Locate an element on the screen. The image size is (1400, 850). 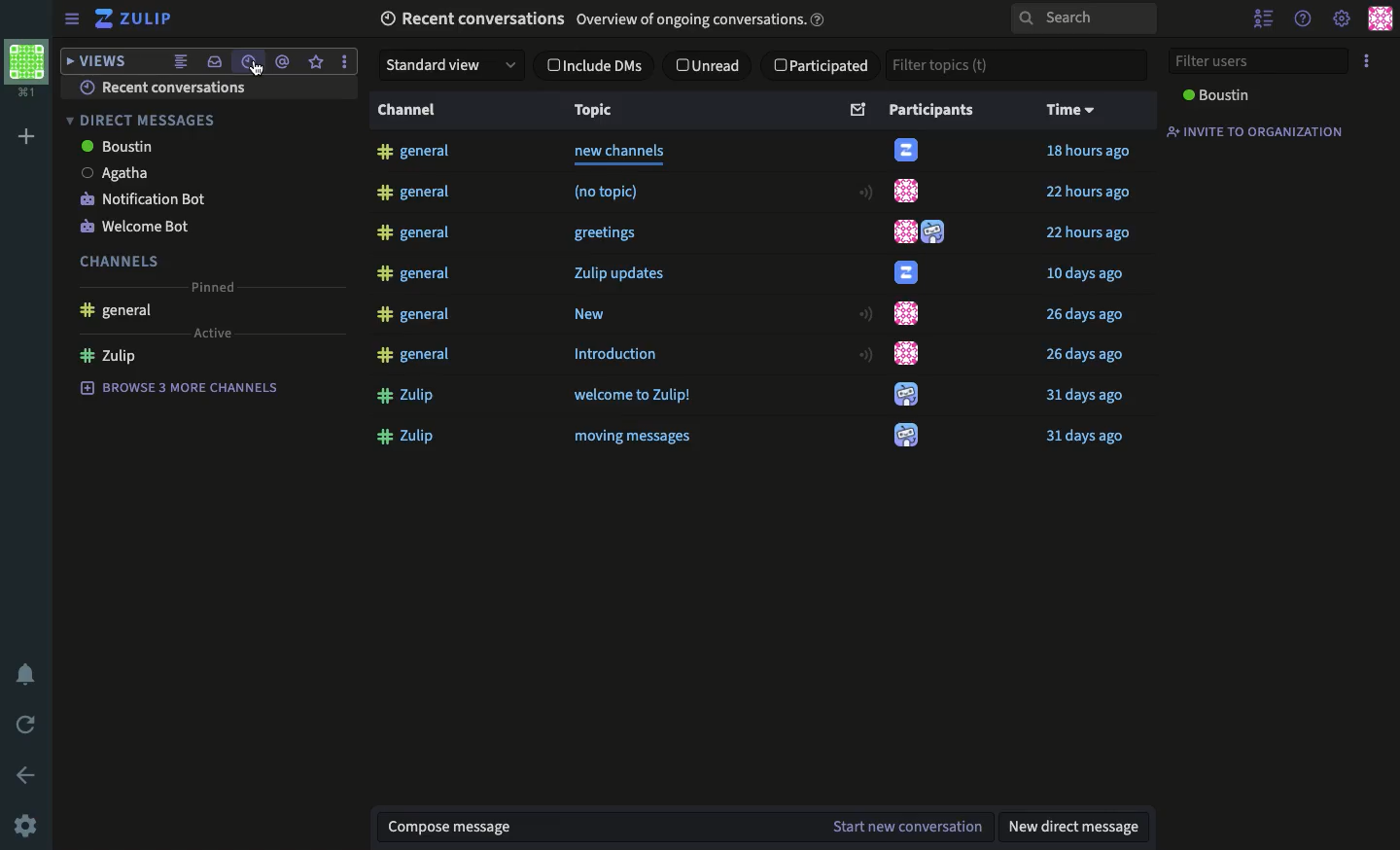
active is located at coordinates (211, 334).